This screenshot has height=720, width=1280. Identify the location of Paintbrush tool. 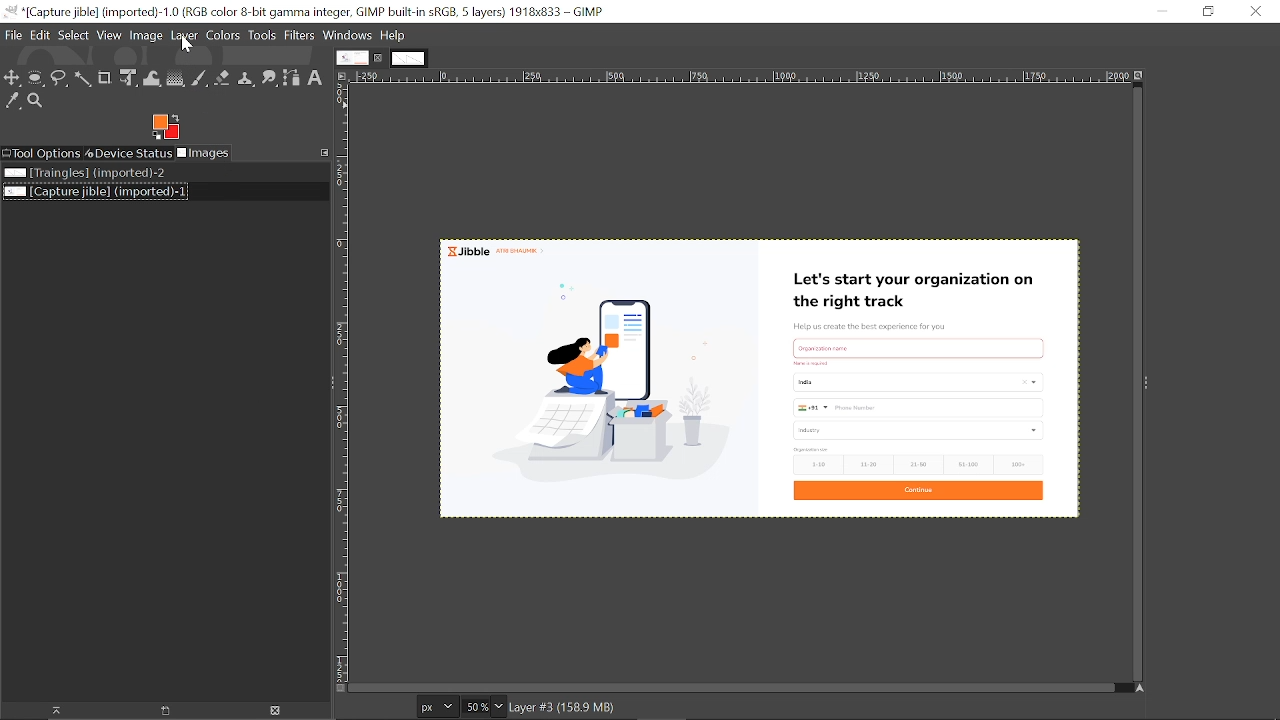
(199, 79).